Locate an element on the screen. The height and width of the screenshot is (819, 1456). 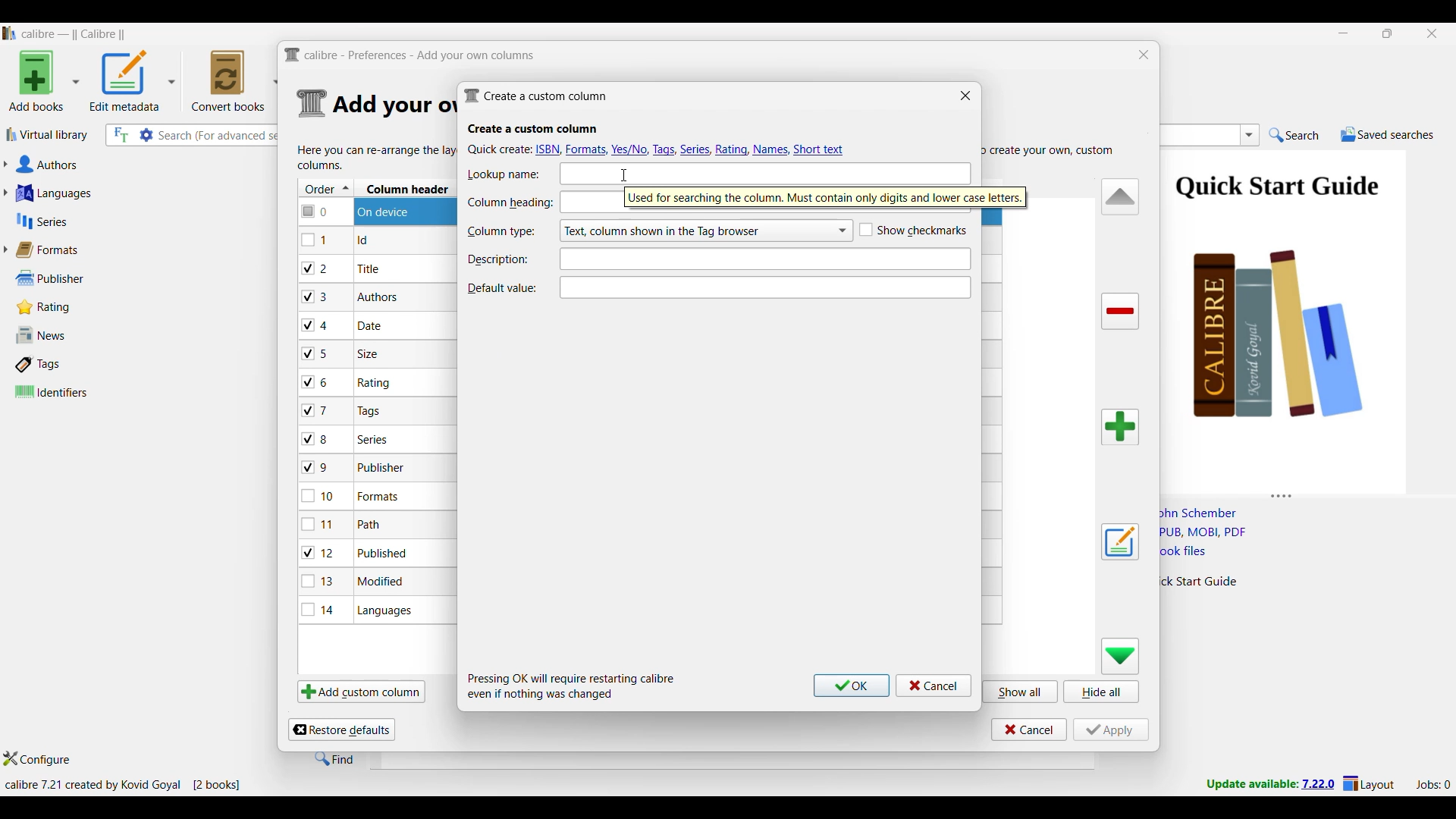
checkbox - 14 is located at coordinates (318, 609).